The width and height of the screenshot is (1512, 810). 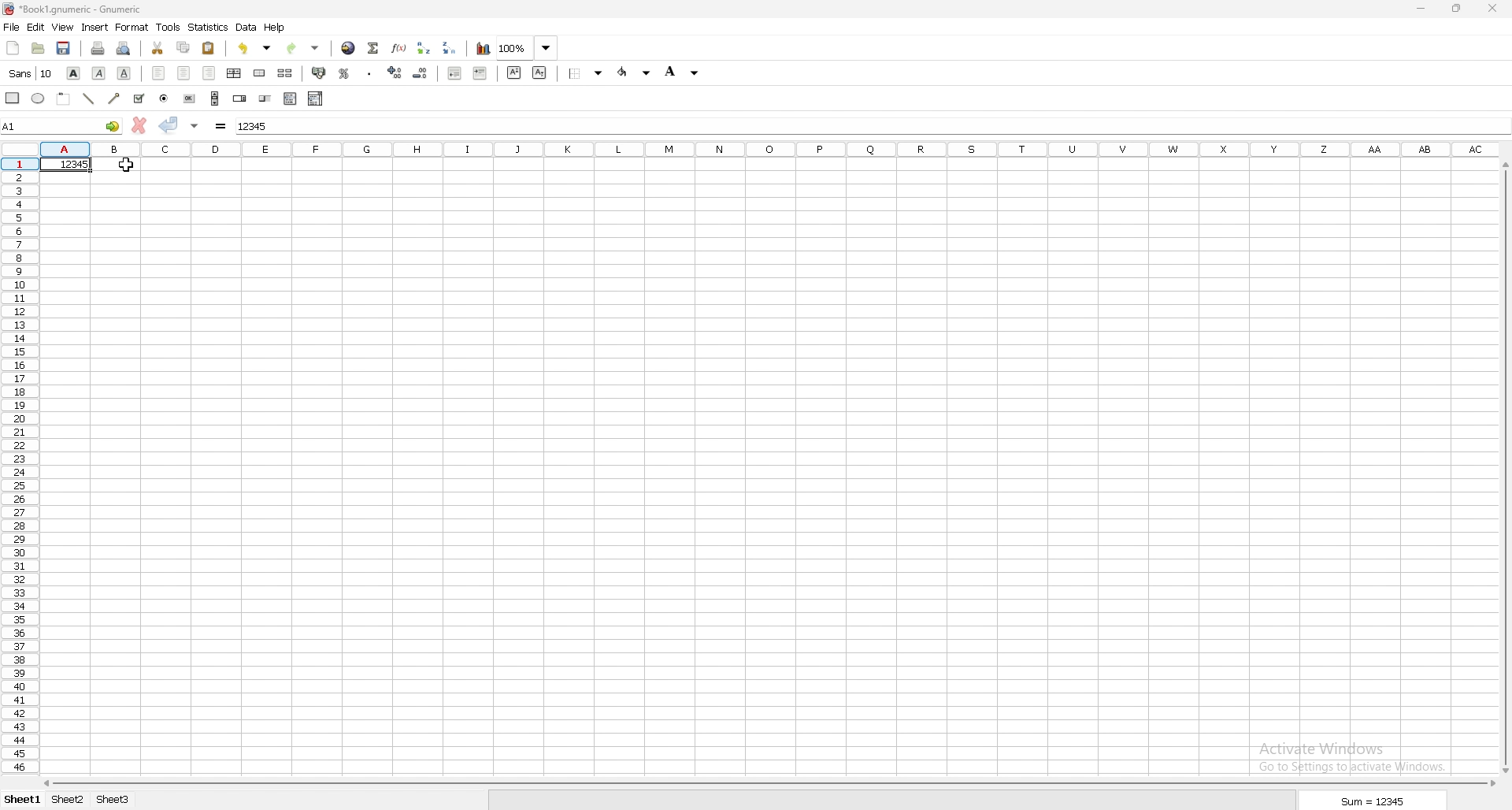 What do you see at coordinates (161, 72) in the screenshot?
I see `align left` at bounding box center [161, 72].